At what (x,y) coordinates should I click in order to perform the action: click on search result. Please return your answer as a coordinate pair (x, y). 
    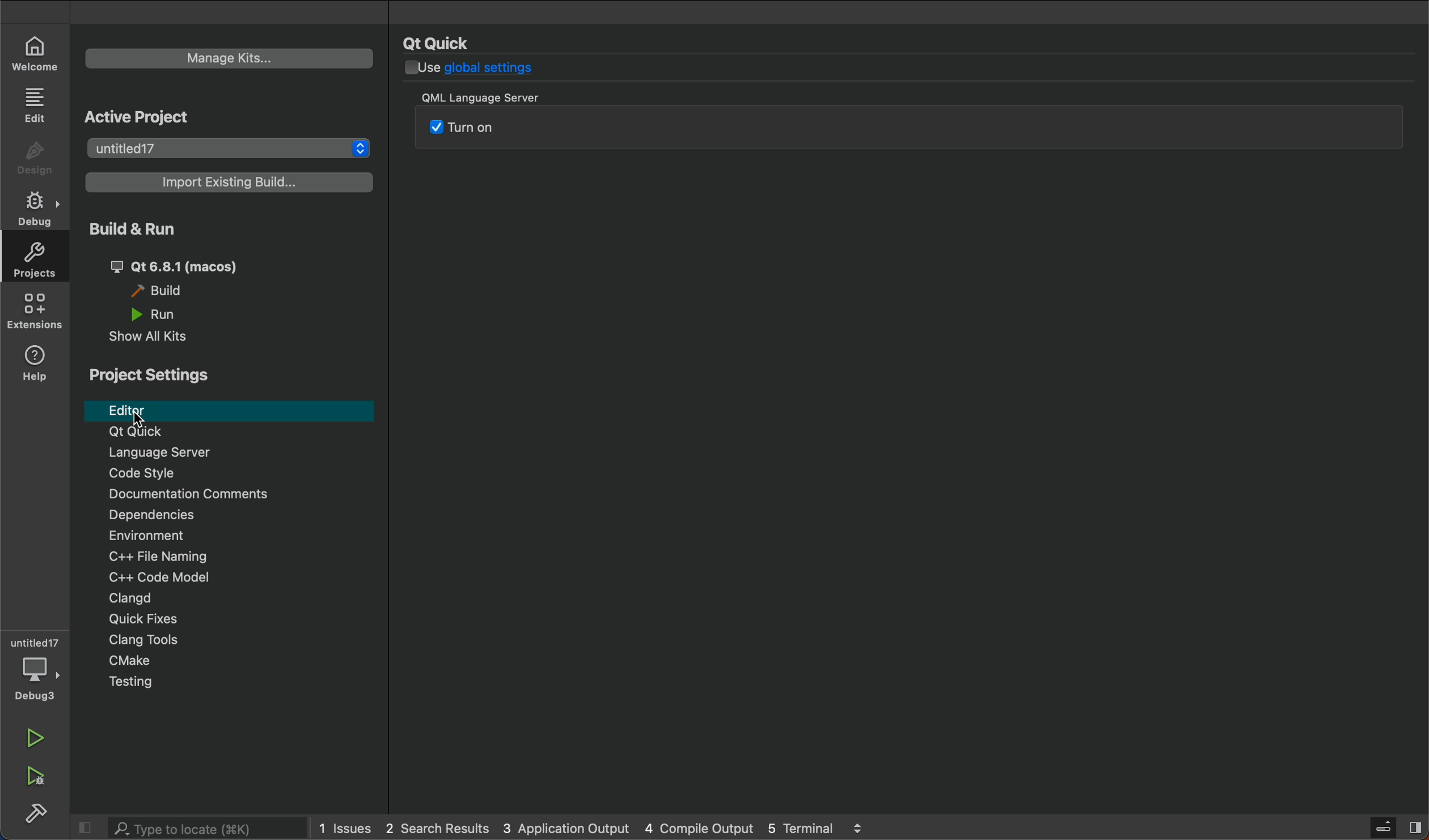
    Looking at the image, I should click on (439, 826).